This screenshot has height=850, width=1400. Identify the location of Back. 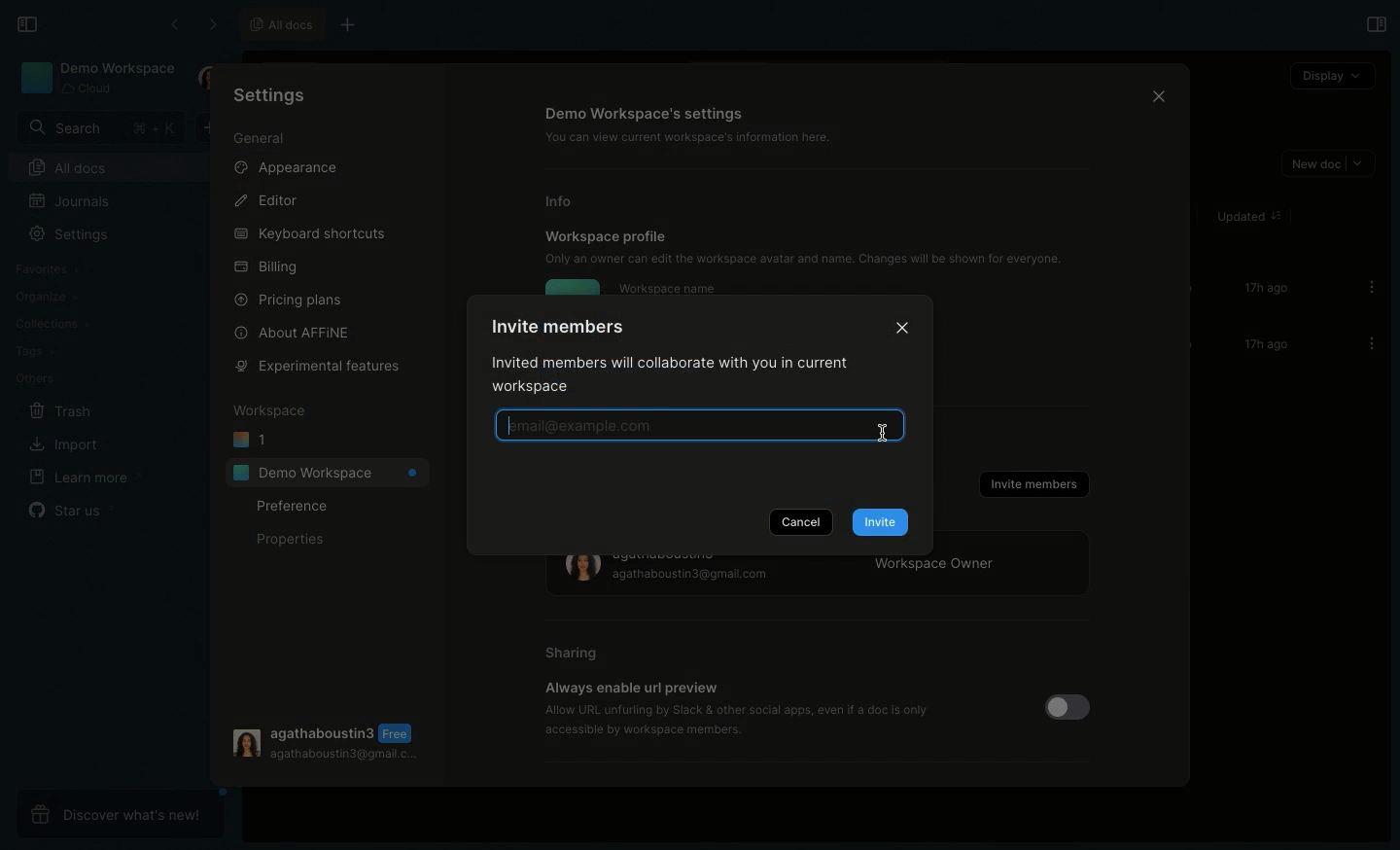
(174, 24).